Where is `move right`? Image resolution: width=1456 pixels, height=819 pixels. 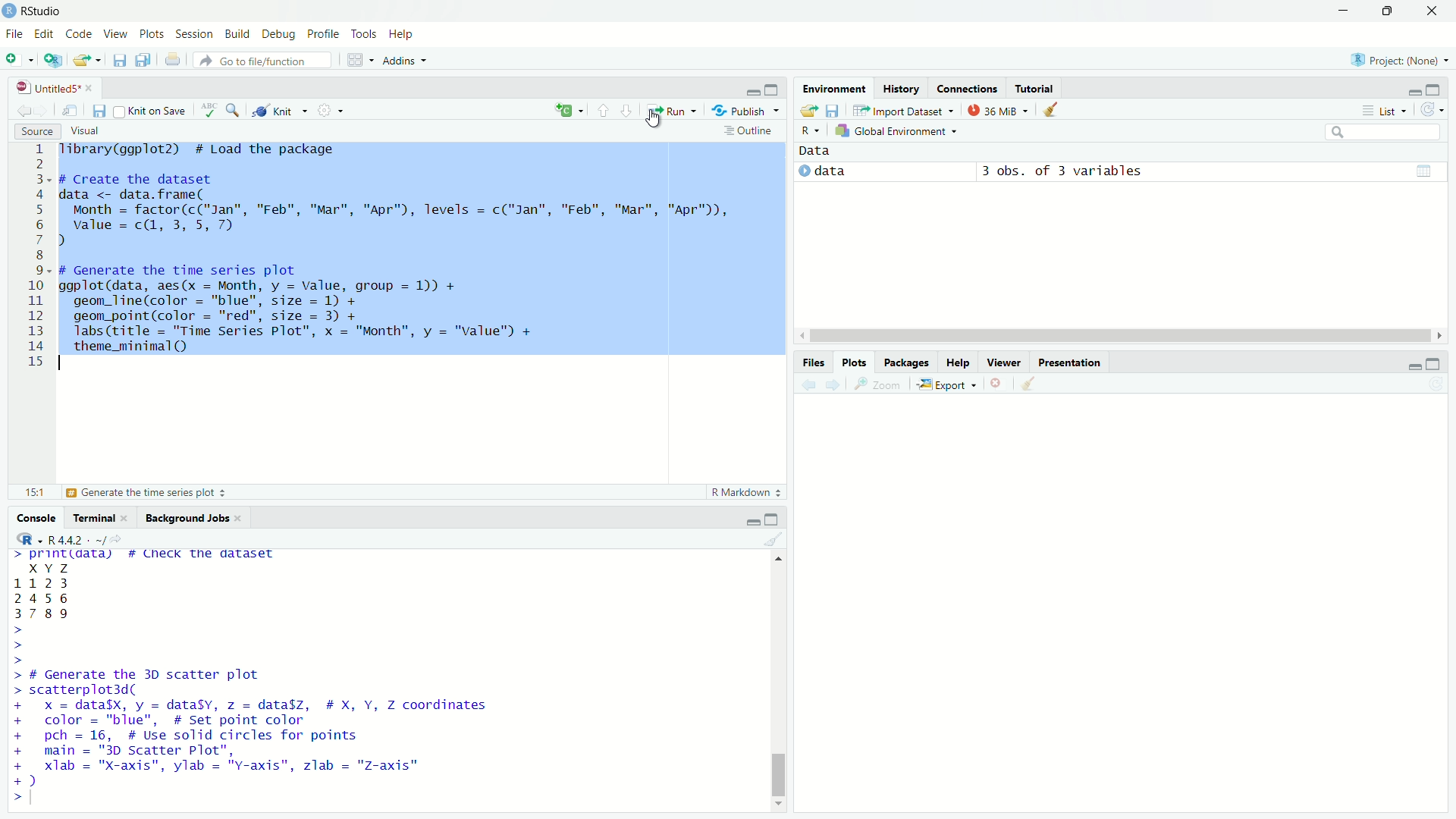 move right is located at coordinates (1438, 334).